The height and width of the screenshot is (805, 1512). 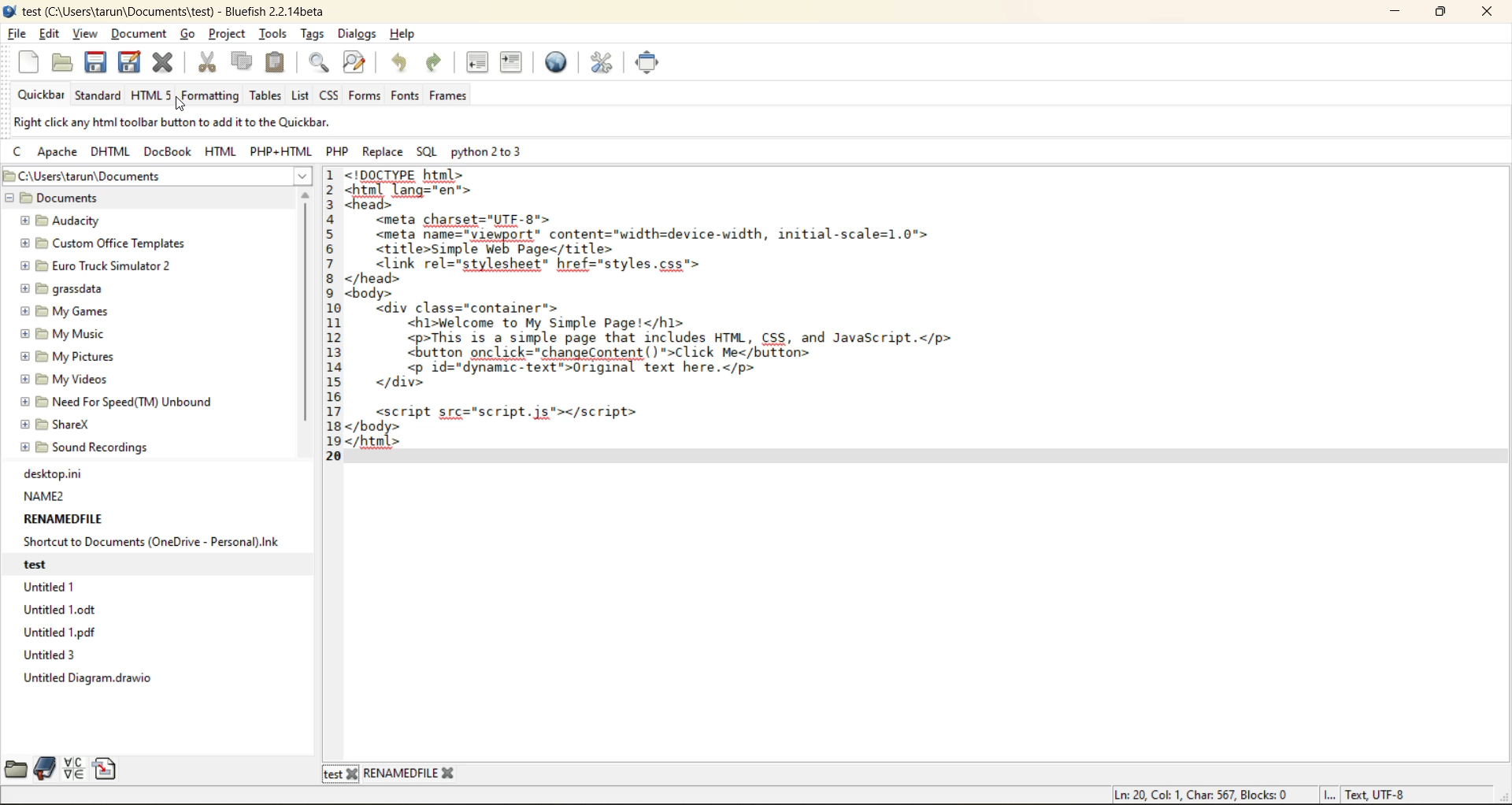 I want to click on tabs, so click(x=391, y=773).